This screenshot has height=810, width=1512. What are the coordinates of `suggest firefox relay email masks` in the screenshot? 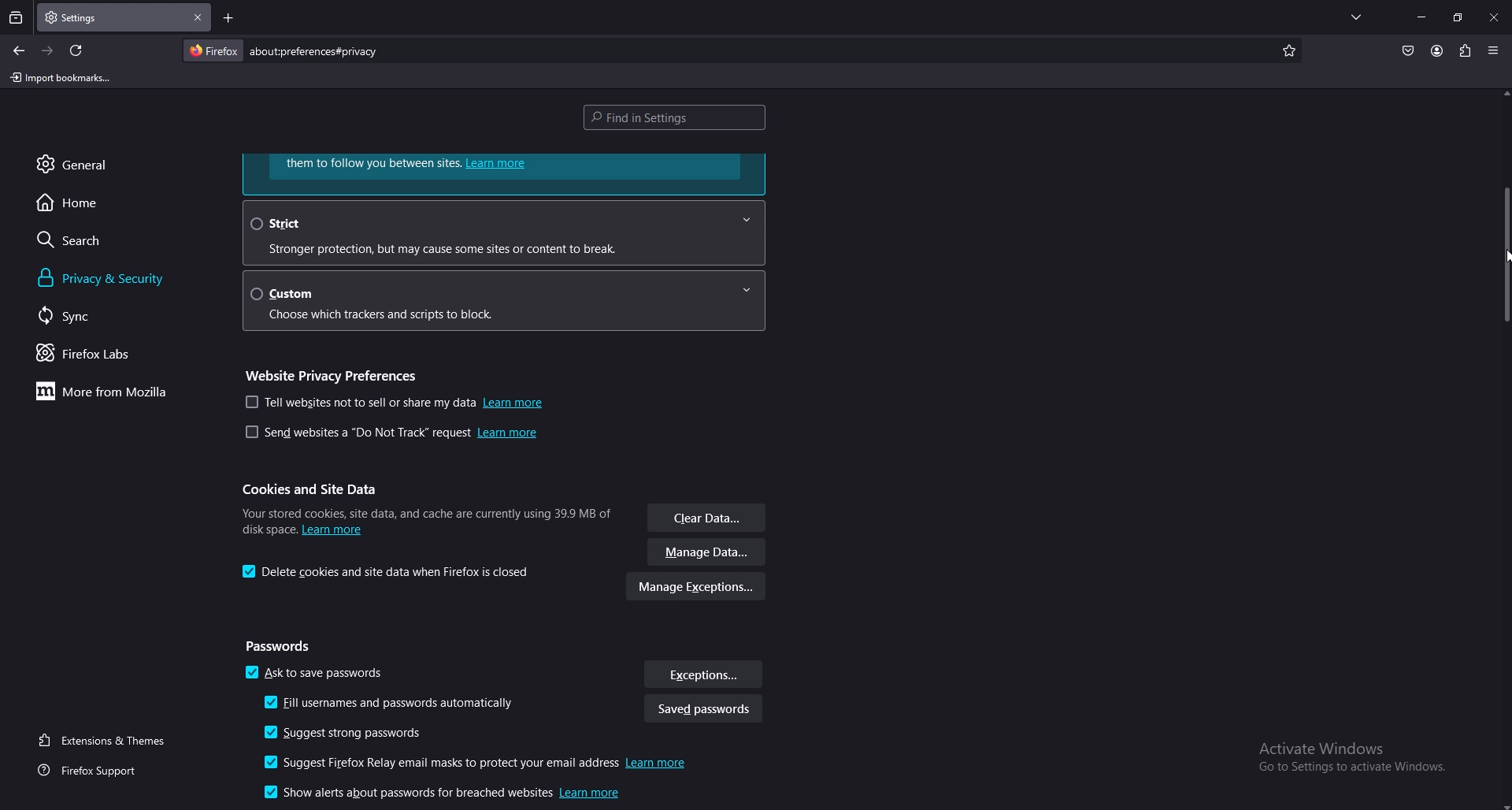 It's located at (480, 764).